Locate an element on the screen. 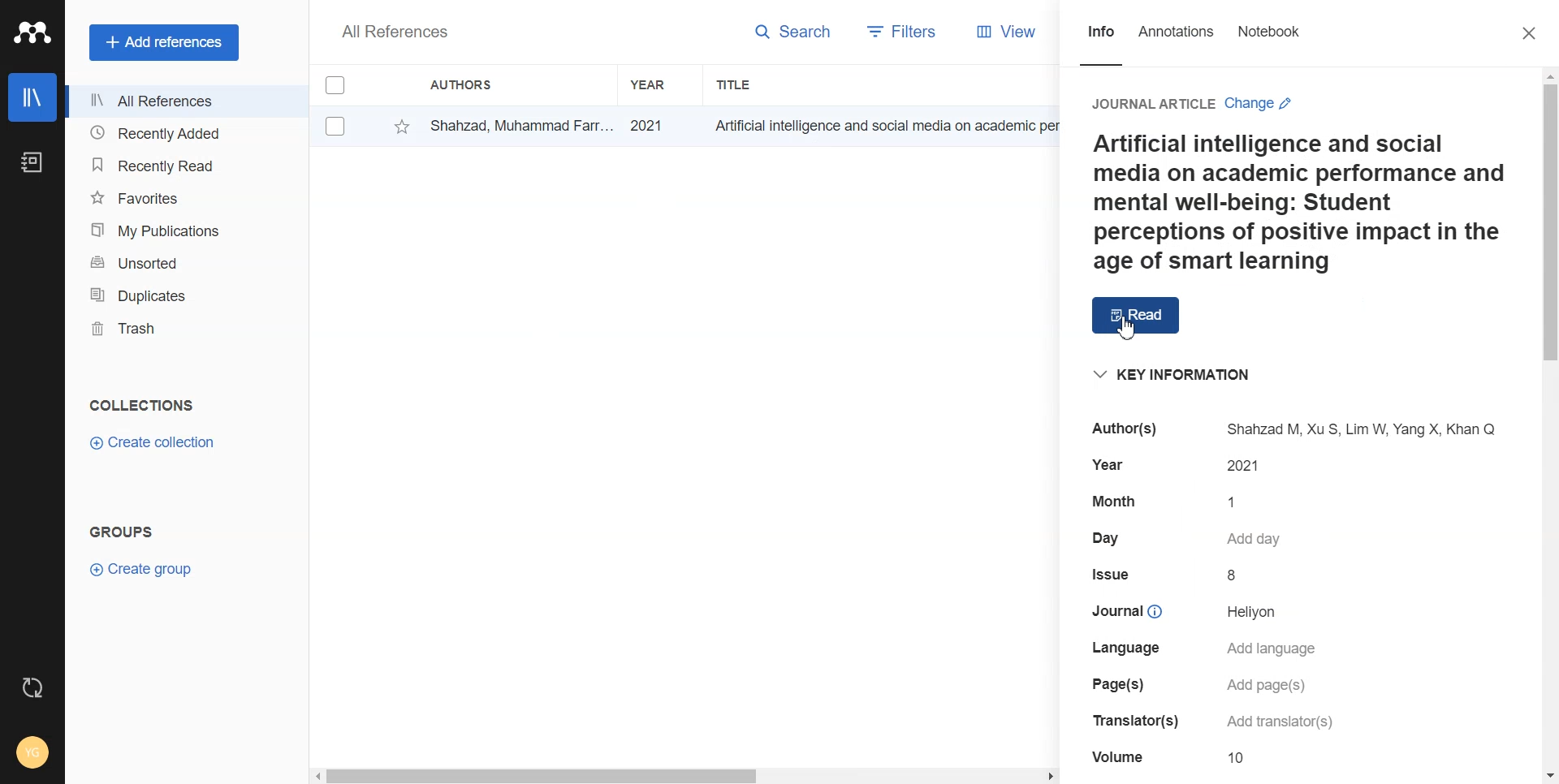 This screenshot has width=1559, height=784. Journal article is located at coordinates (1152, 103).